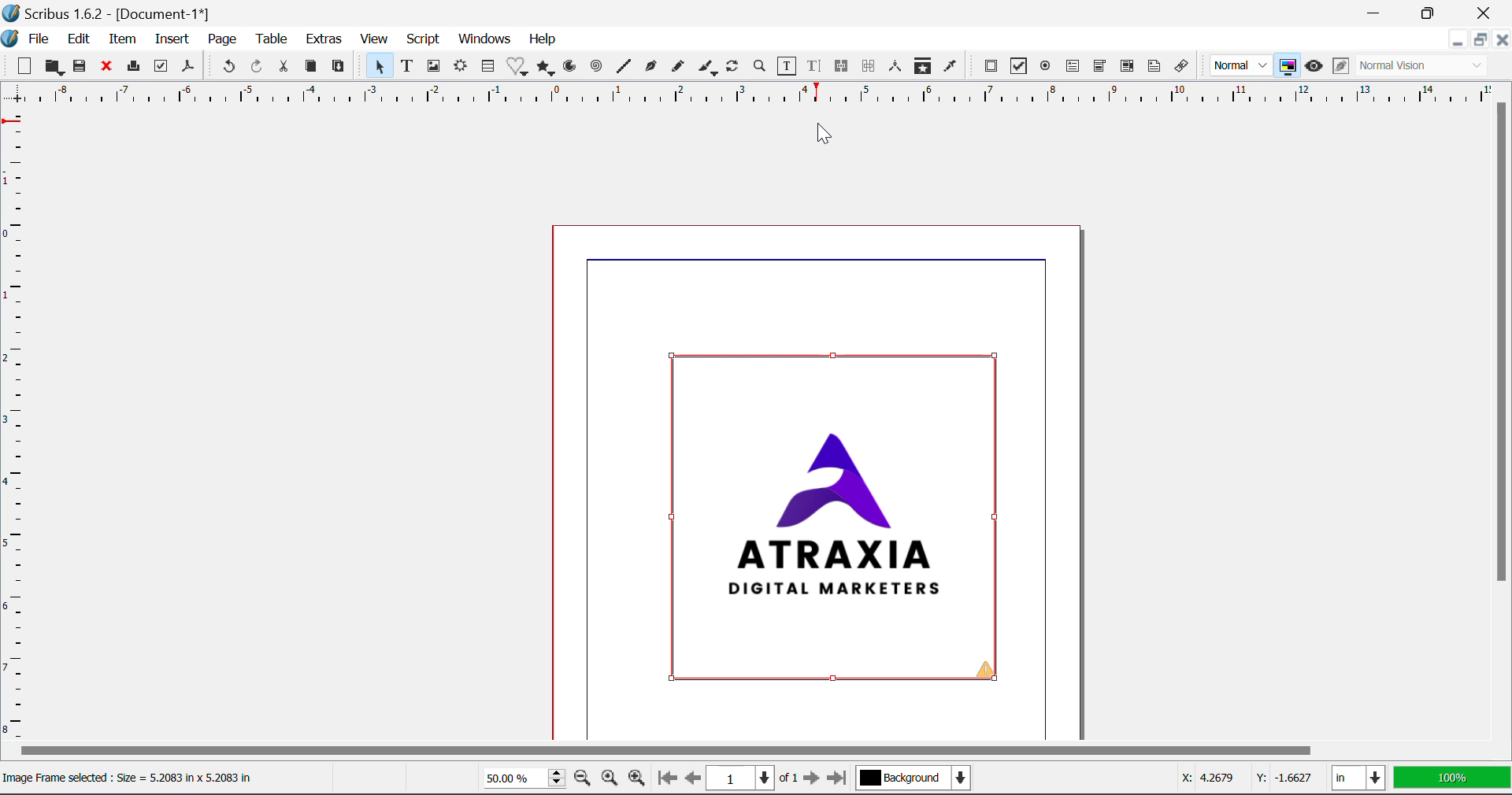  What do you see at coordinates (1482, 39) in the screenshot?
I see `Minimize` at bounding box center [1482, 39].